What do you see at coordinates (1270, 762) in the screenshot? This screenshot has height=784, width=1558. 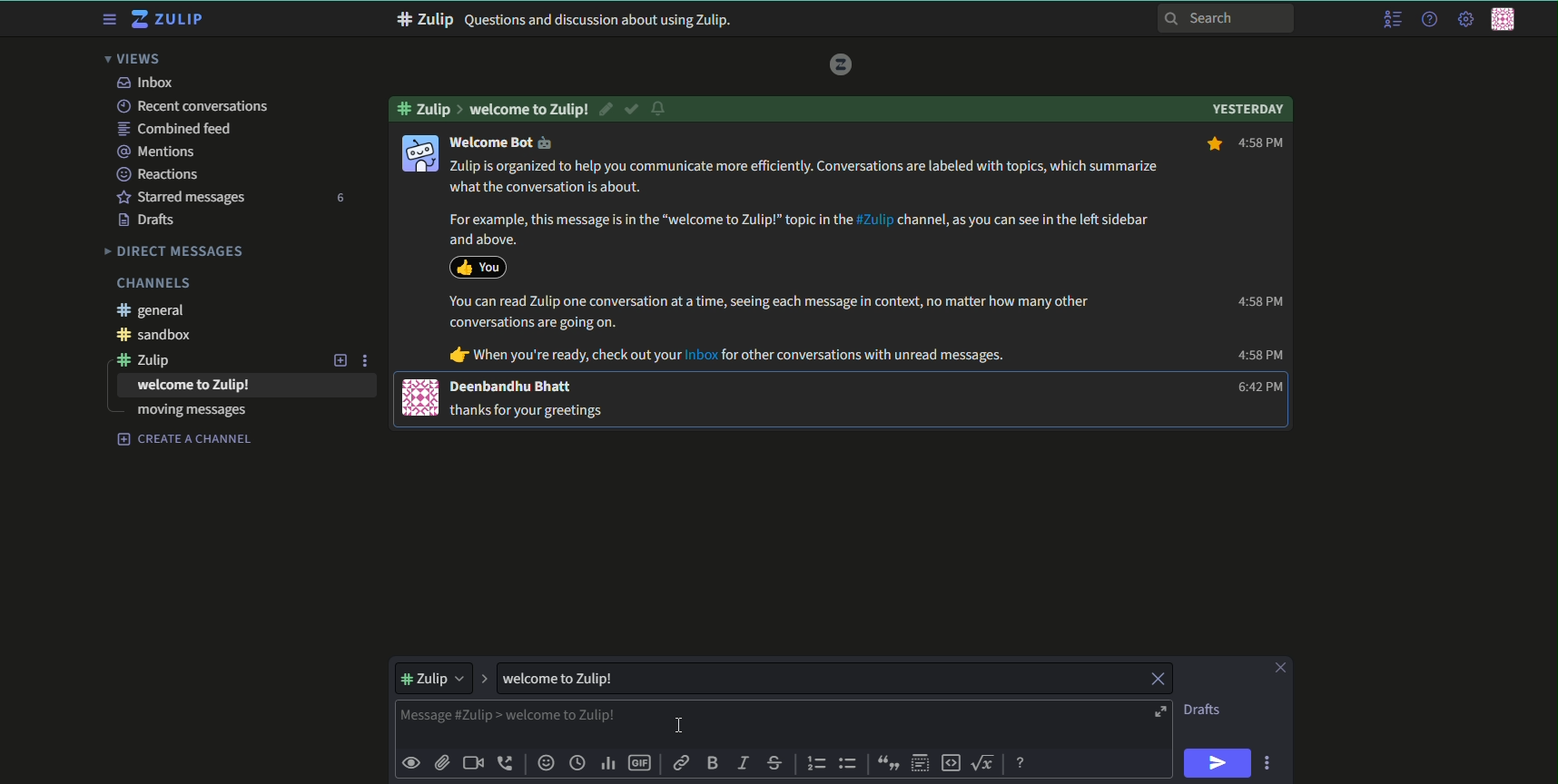 I see `options` at bounding box center [1270, 762].